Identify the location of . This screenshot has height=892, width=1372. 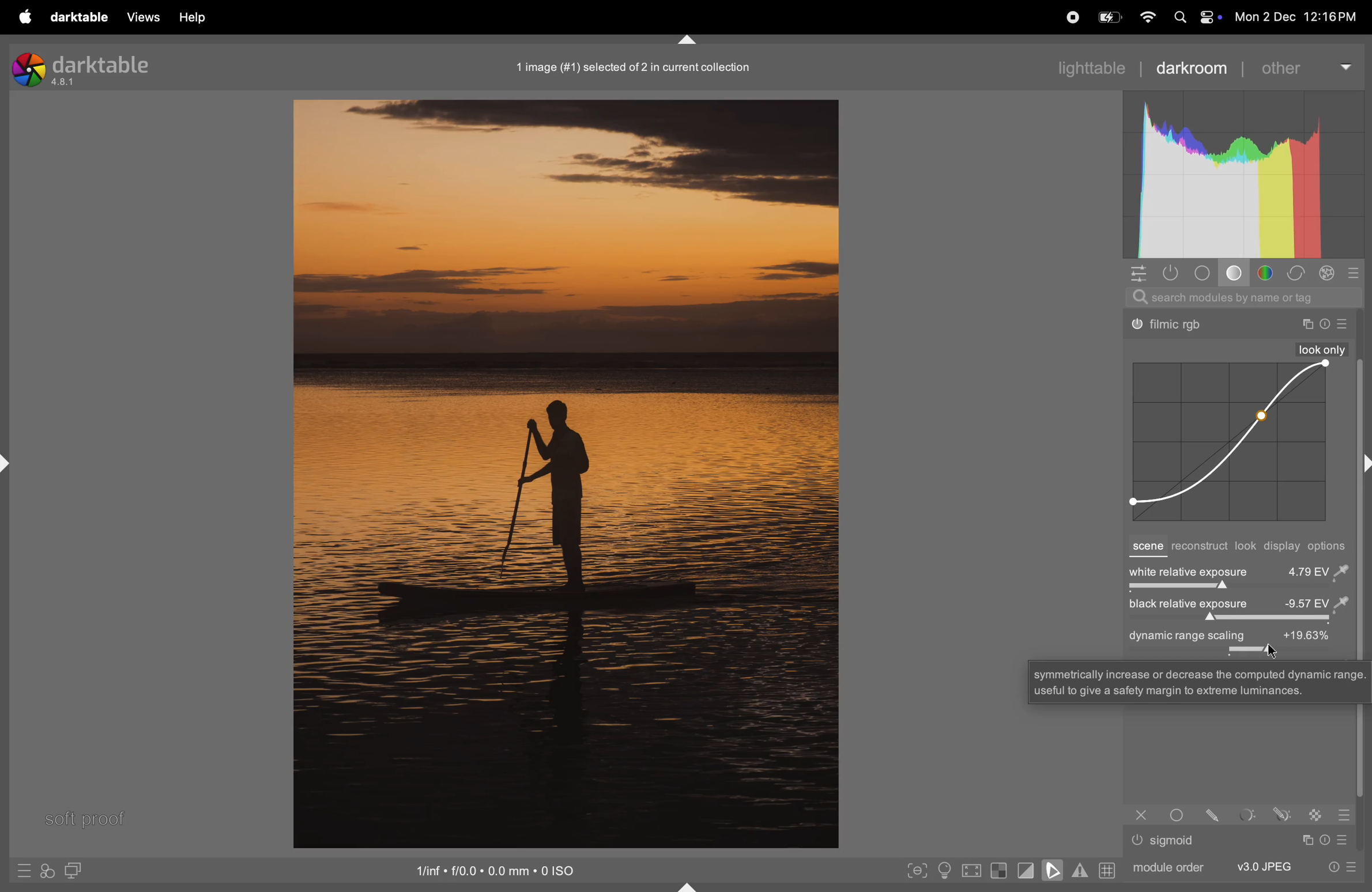
(1137, 840).